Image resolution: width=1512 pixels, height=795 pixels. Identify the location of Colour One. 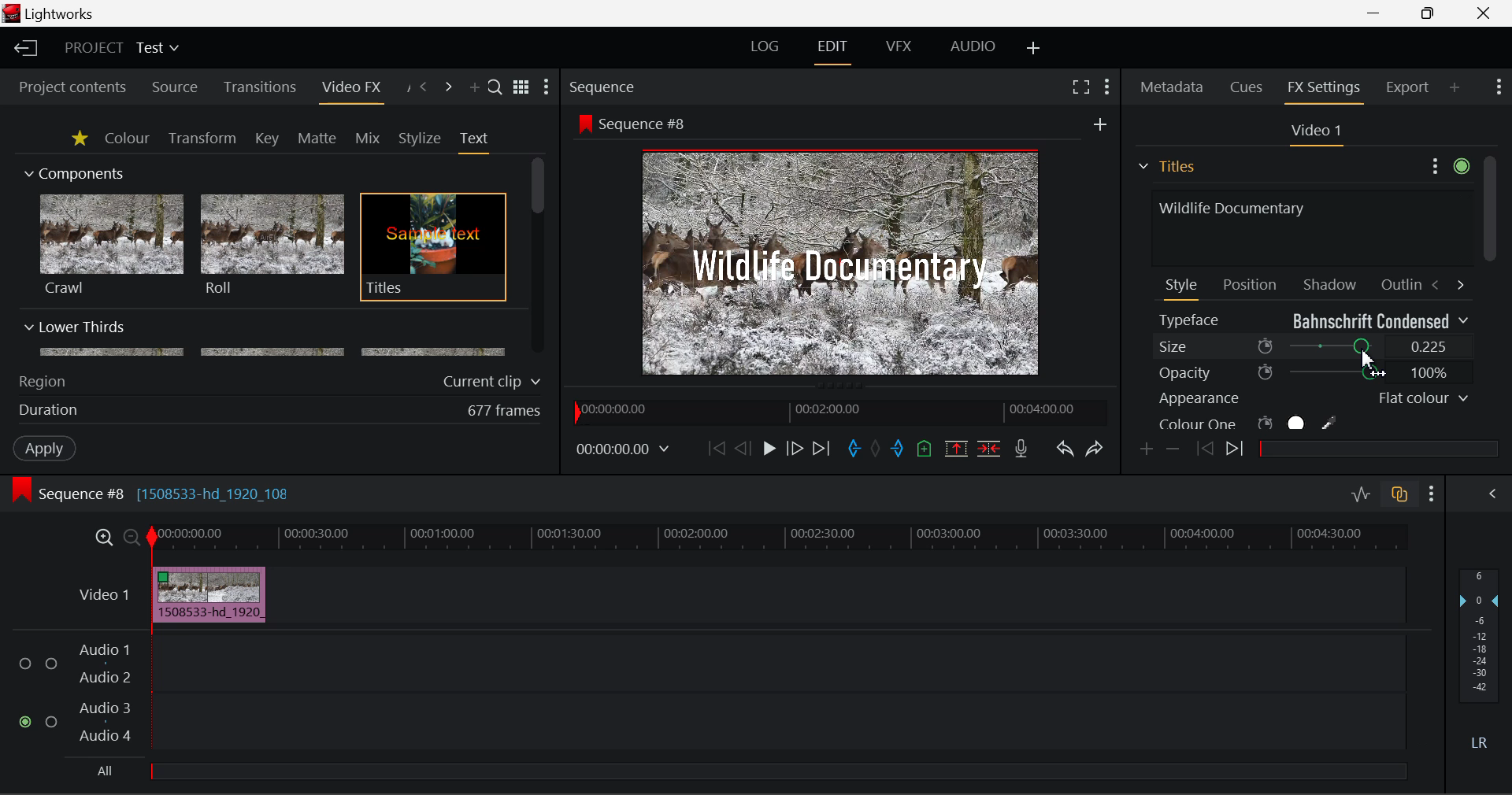
(1274, 423).